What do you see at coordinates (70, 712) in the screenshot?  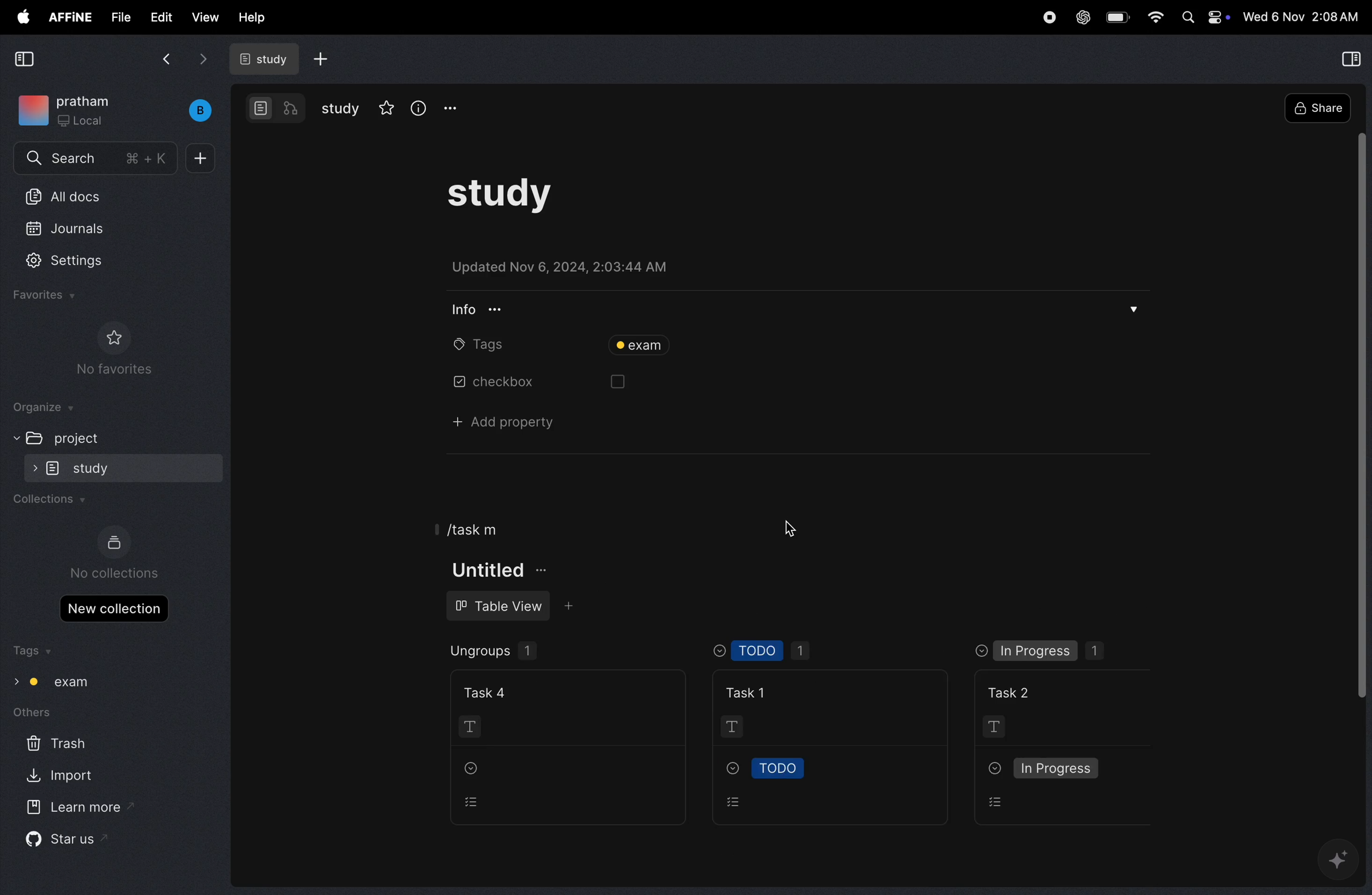 I see `others` at bounding box center [70, 712].